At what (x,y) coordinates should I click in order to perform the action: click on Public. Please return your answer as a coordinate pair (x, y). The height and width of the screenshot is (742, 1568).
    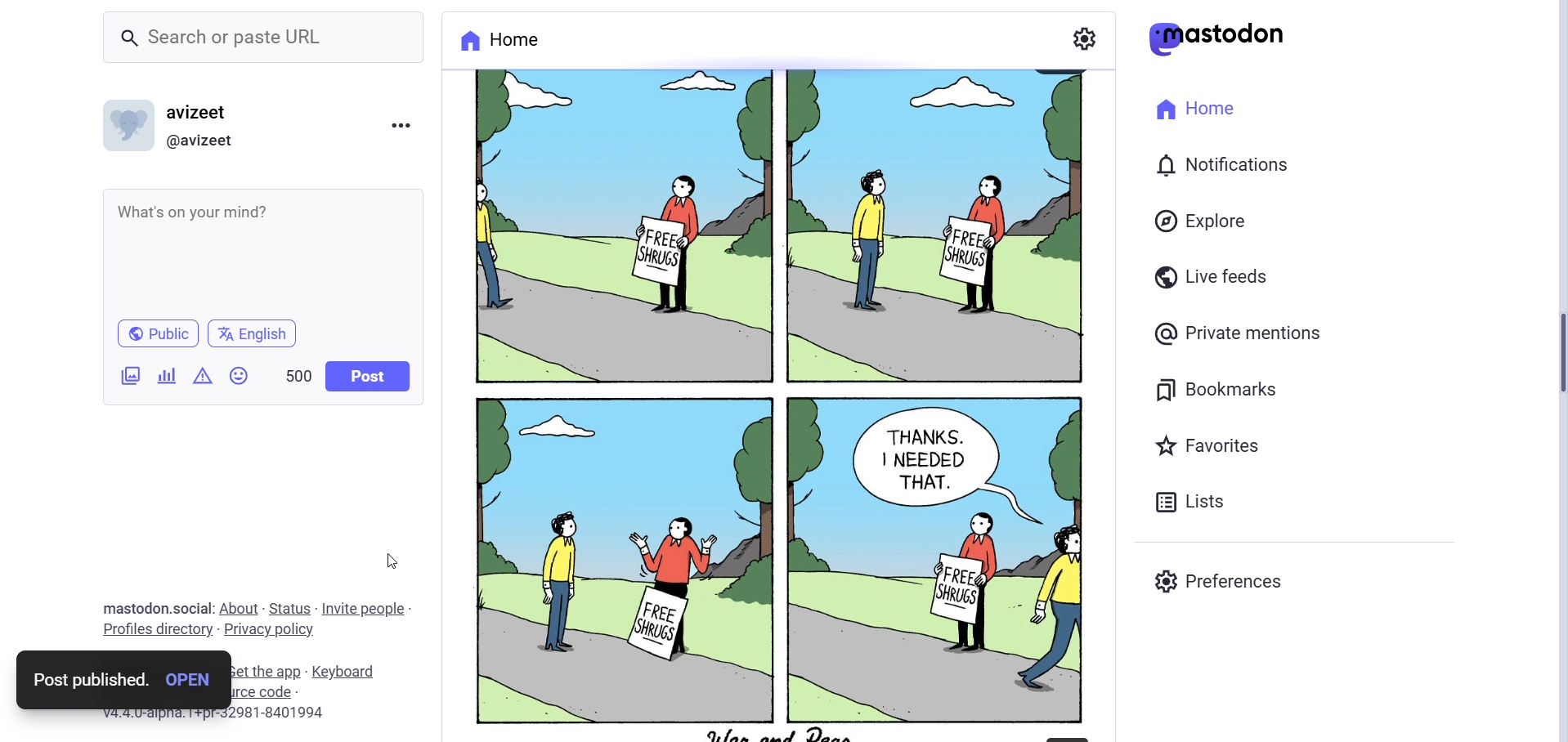
    Looking at the image, I should click on (159, 332).